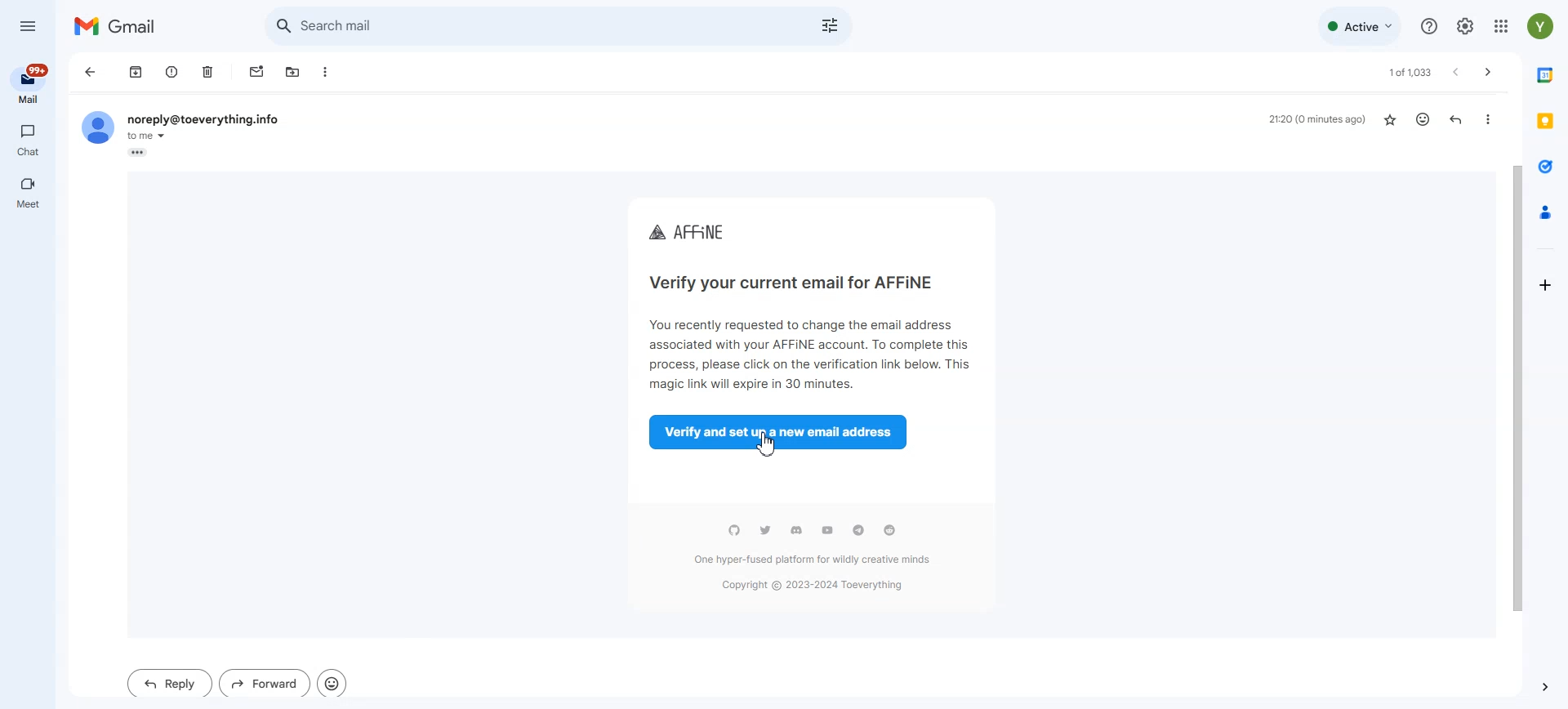 The height and width of the screenshot is (709, 1568). I want to click on Discord, so click(796, 530).